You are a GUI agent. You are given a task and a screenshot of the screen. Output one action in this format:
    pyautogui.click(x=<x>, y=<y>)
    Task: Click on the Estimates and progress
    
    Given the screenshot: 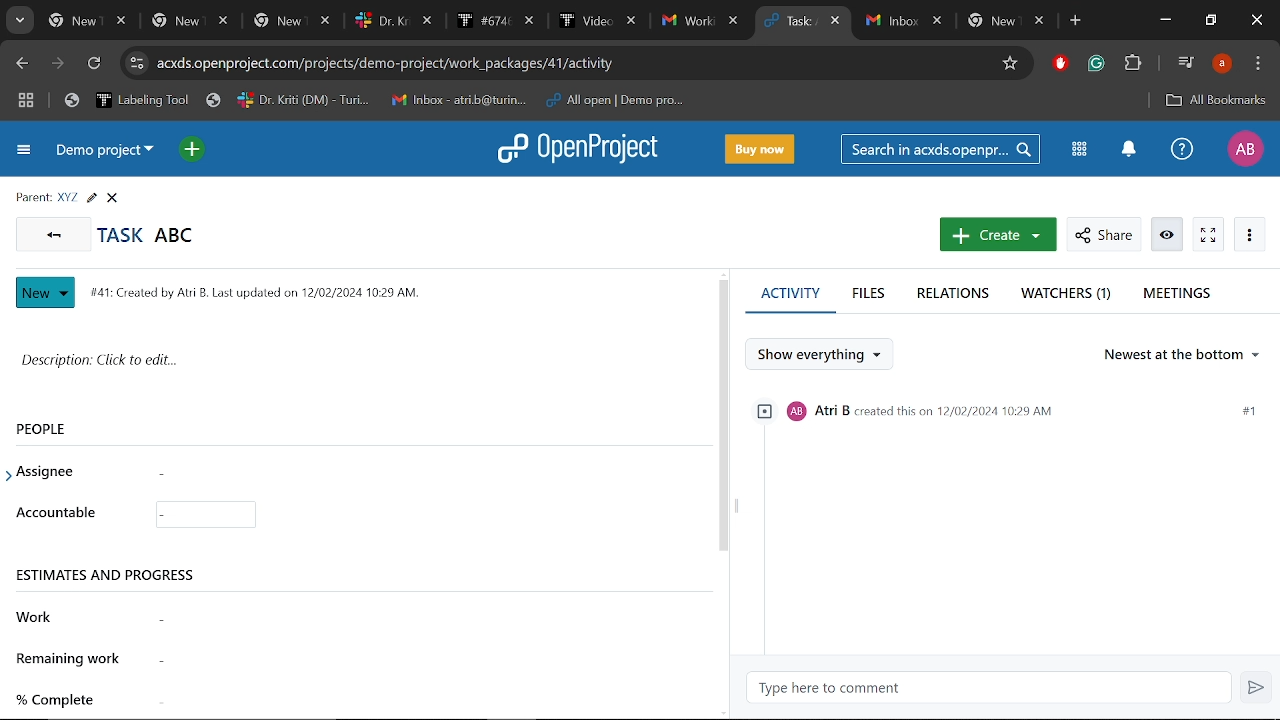 What is the action you would take?
    pyautogui.click(x=318, y=566)
    